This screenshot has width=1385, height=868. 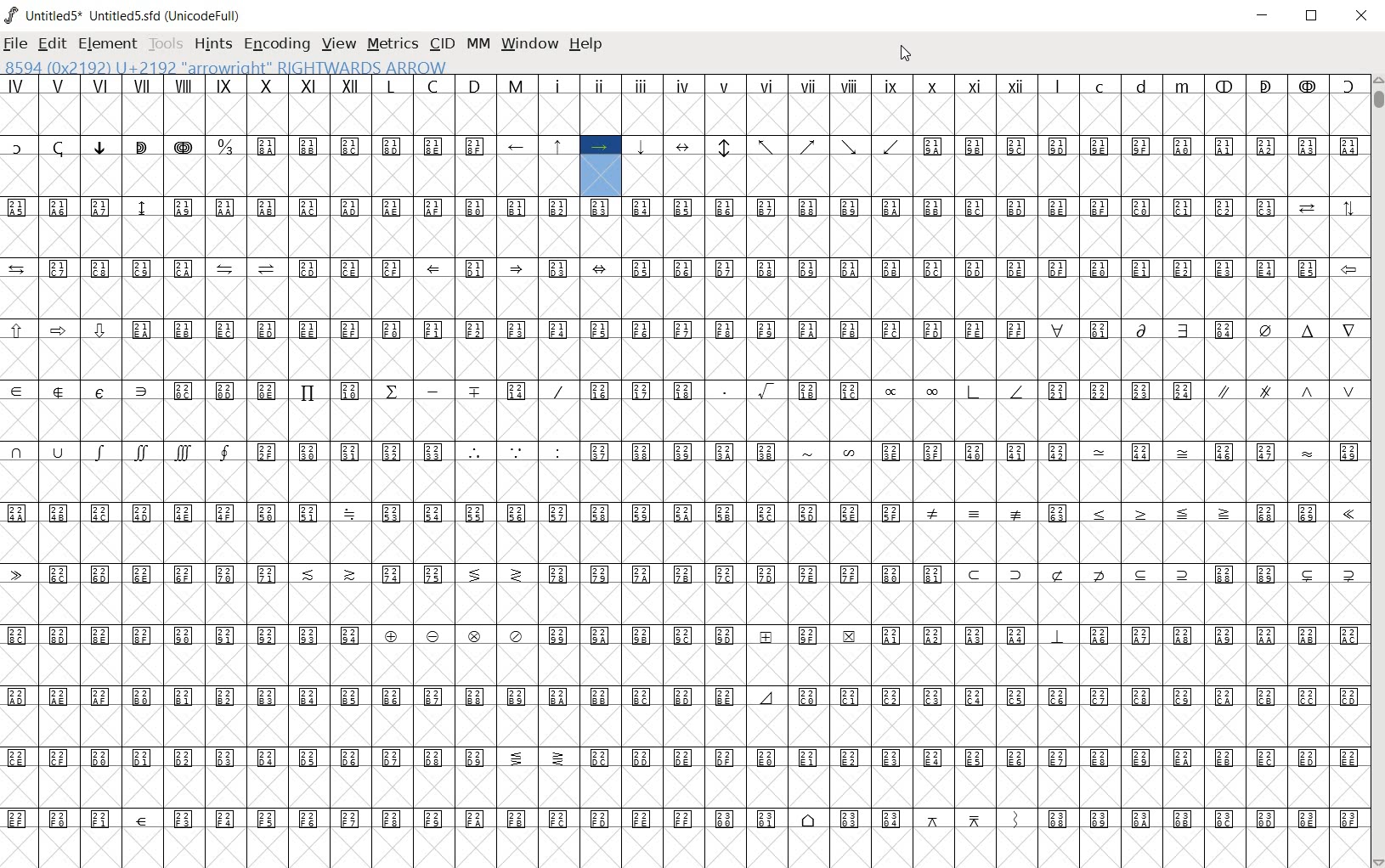 I want to click on ELEMENT, so click(x=108, y=45).